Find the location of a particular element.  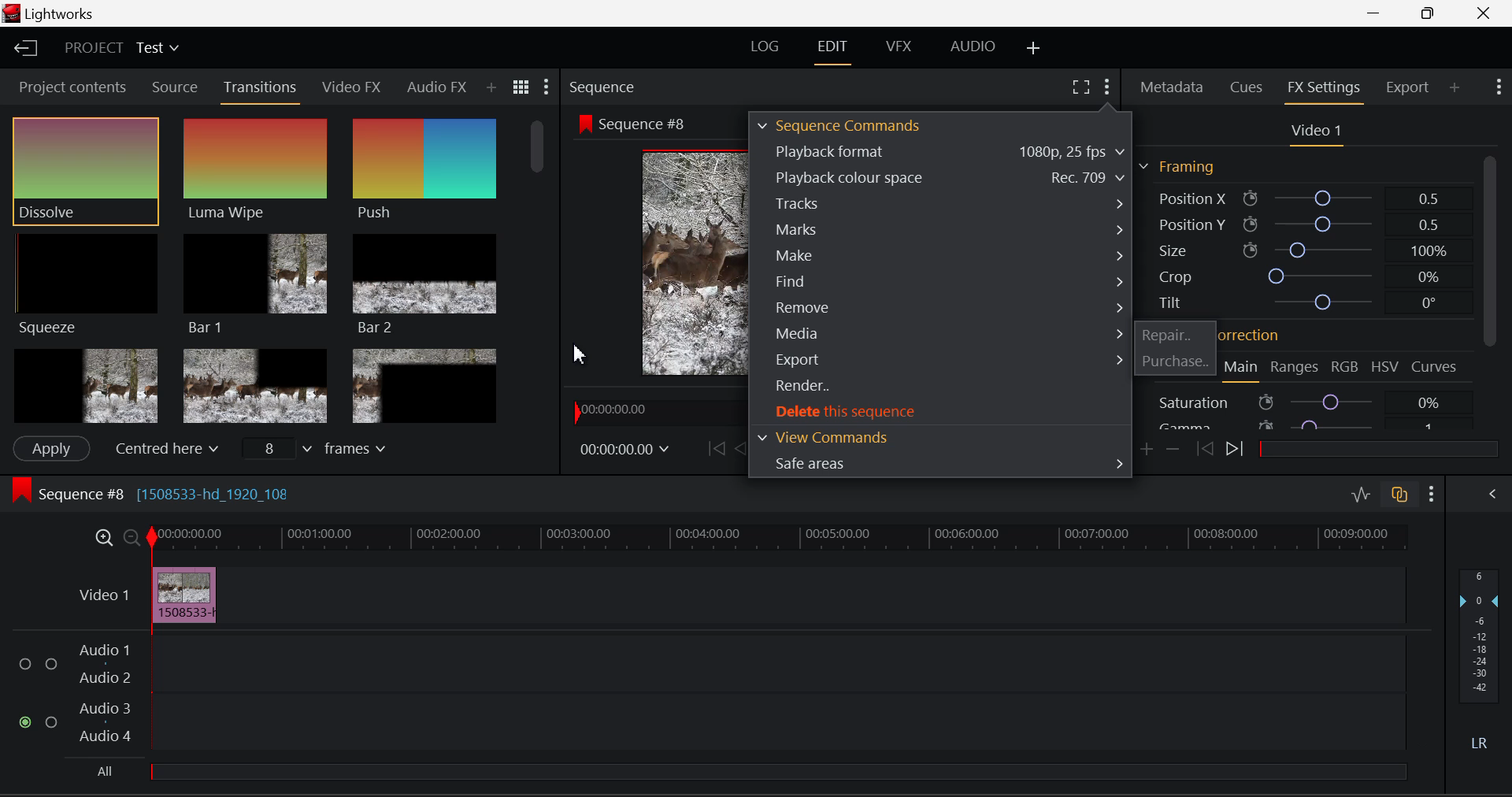

Timeline Zoom Out is located at coordinates (131, 539).